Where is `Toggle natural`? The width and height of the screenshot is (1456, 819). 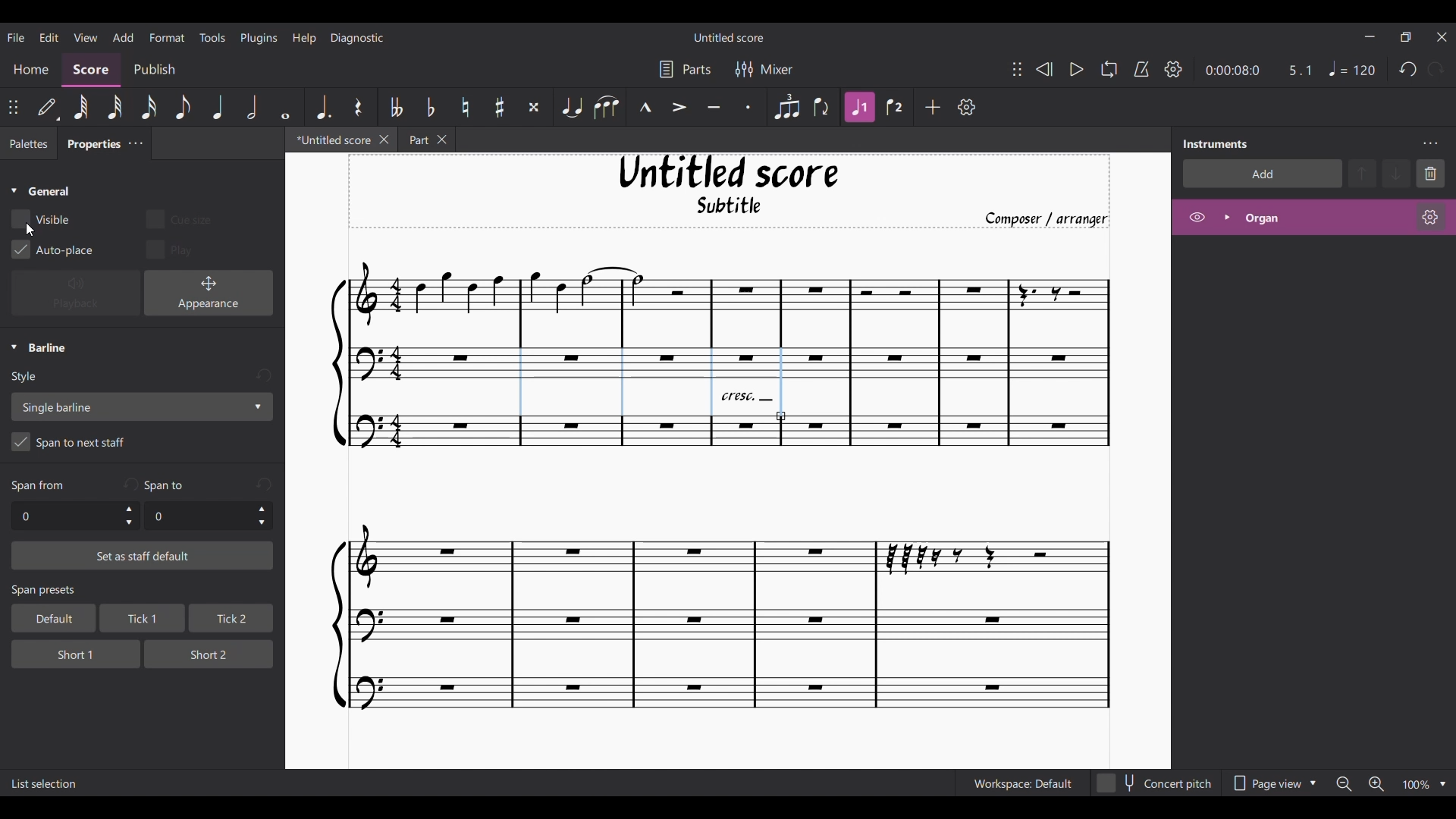
Toggle natural is located at coordinates (465, 107).